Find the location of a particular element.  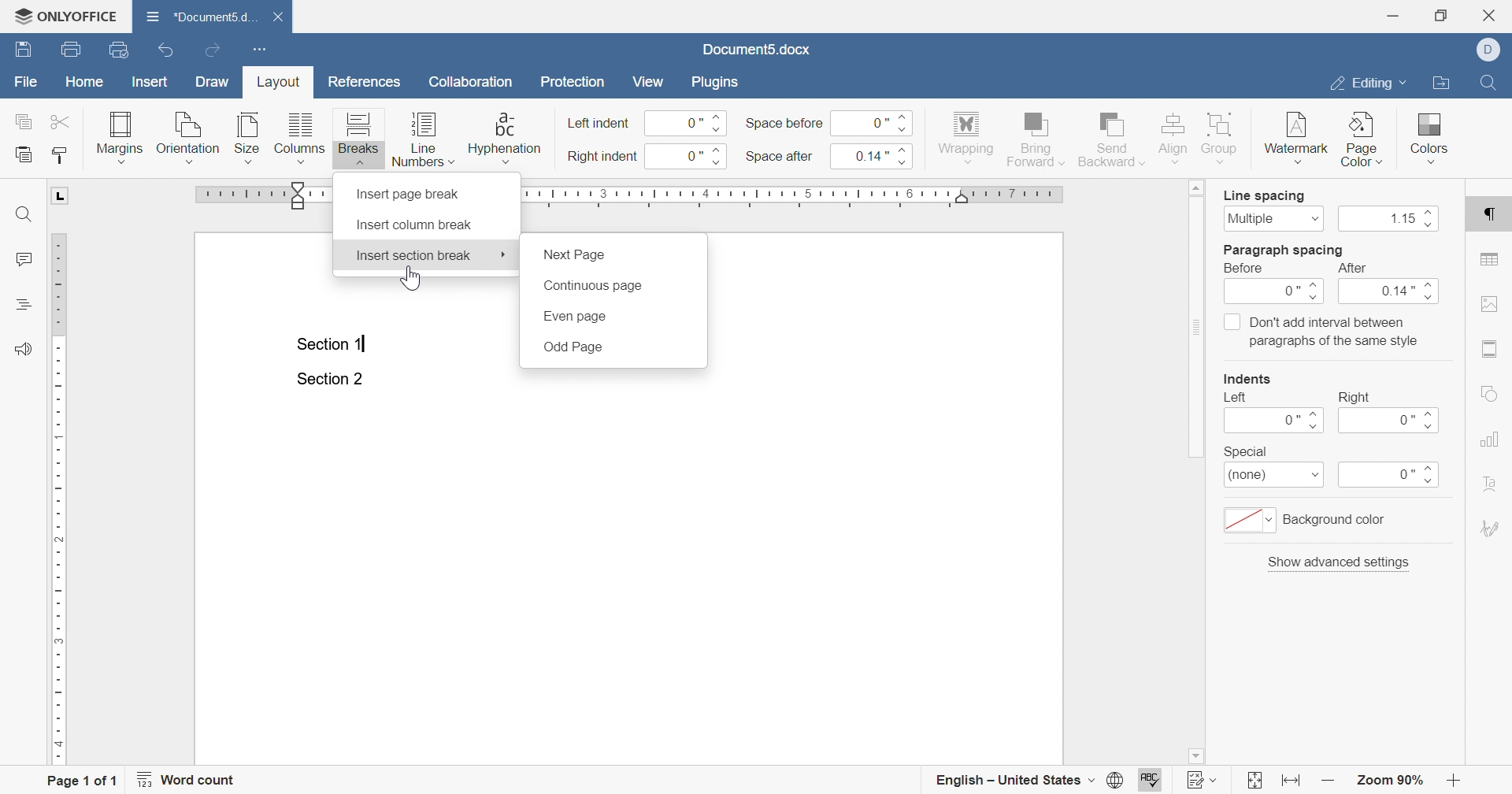

file is located at coordinates (27, 80).